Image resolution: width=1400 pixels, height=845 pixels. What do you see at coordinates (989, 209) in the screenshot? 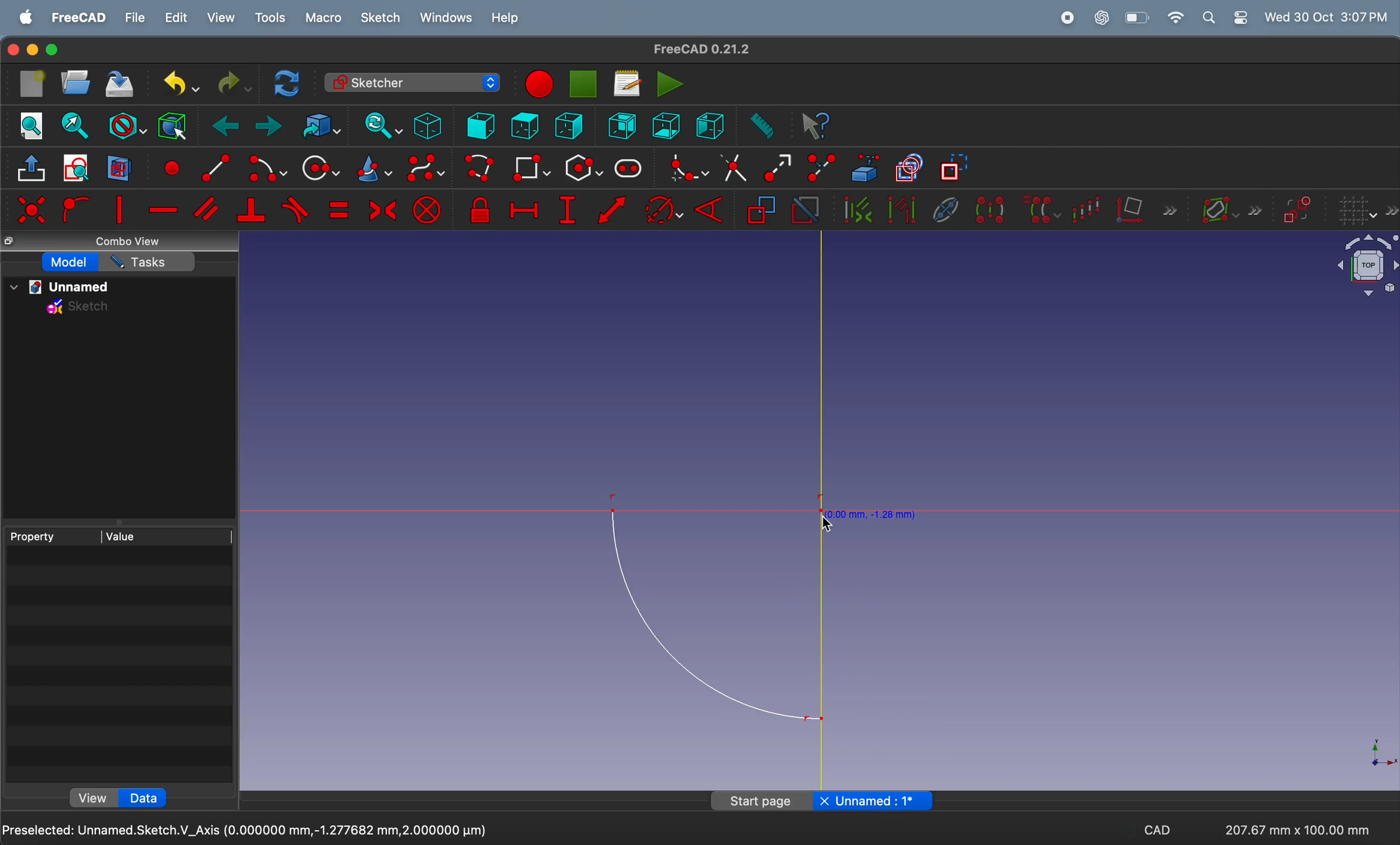
I see `symmetry` at bounding box center [989, 209].